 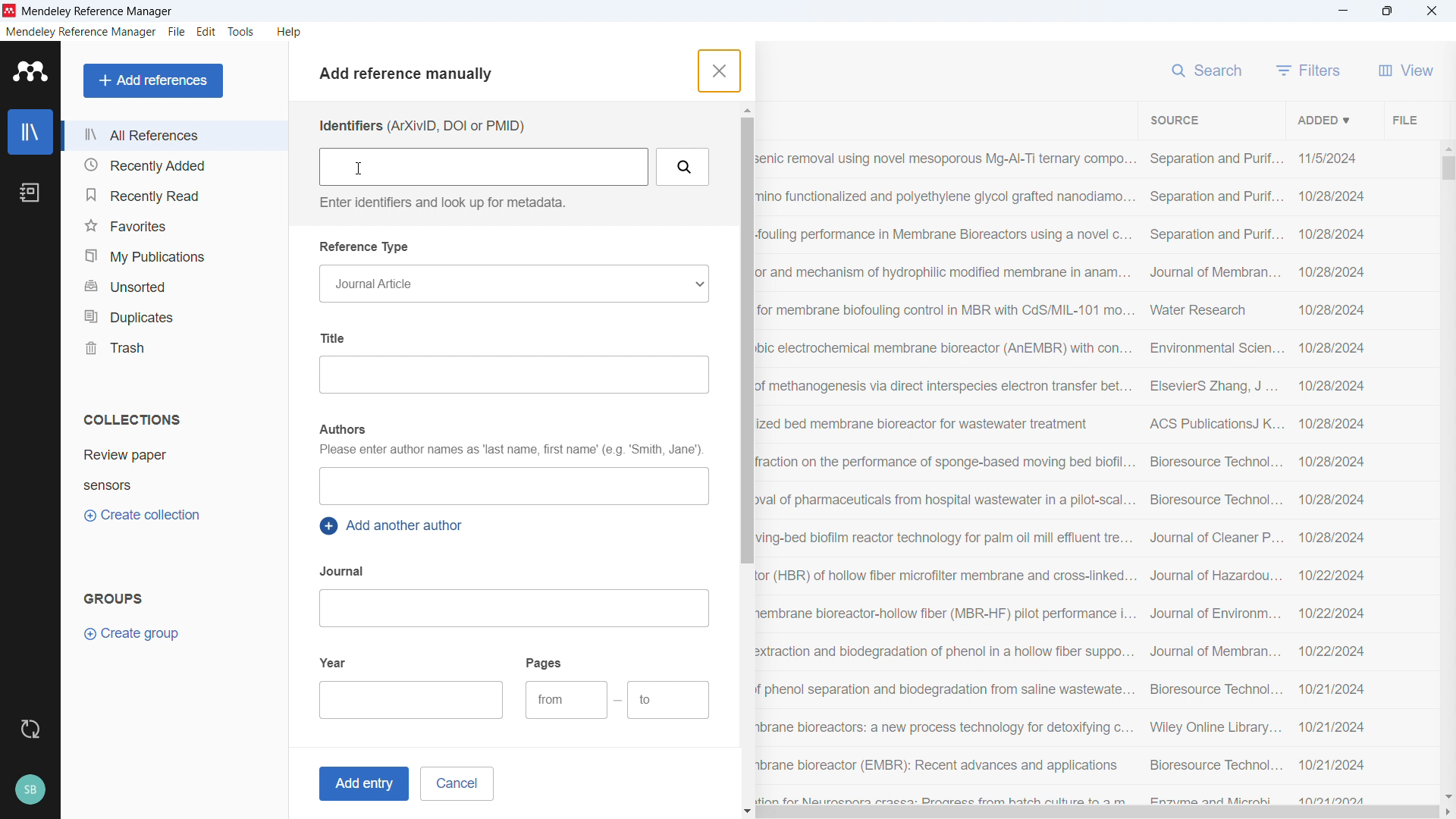 I want to click on Please enter author names as 'last name first name', so click(x=510, y=451).